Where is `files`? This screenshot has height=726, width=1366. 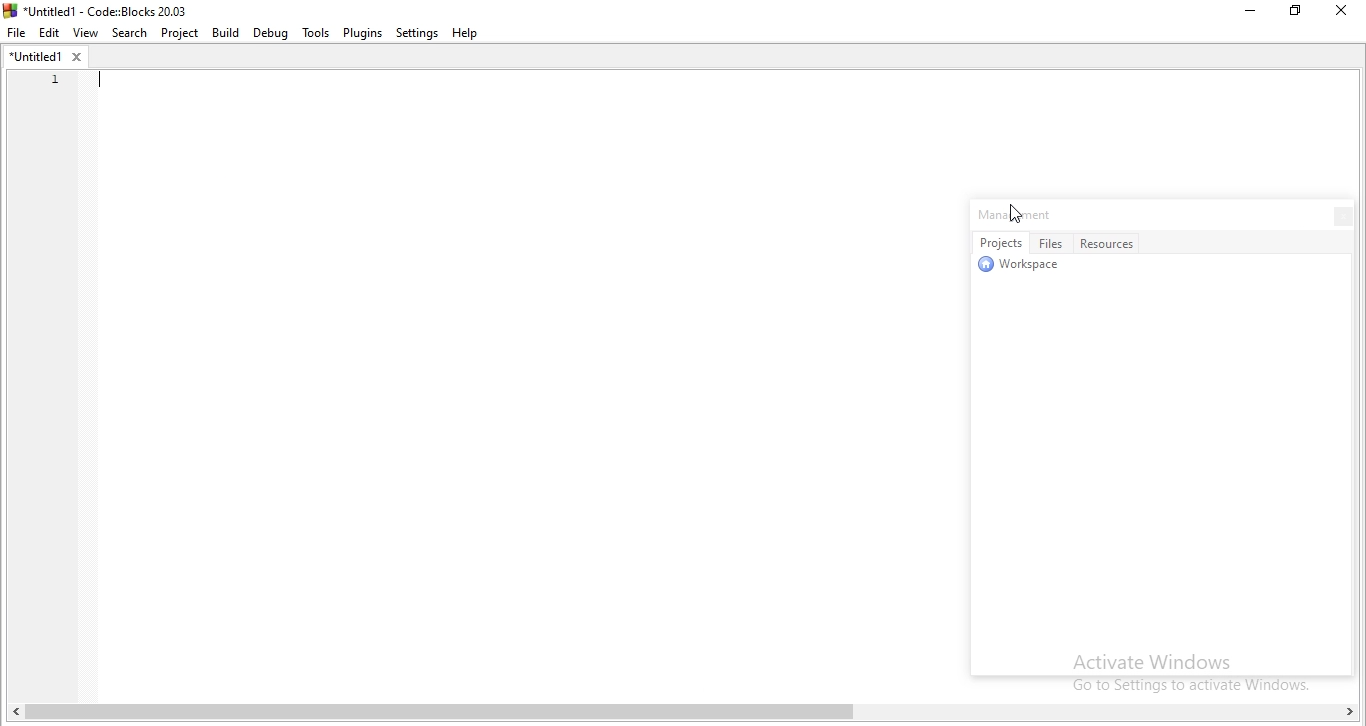 files is located at coordinates (1053, 243).